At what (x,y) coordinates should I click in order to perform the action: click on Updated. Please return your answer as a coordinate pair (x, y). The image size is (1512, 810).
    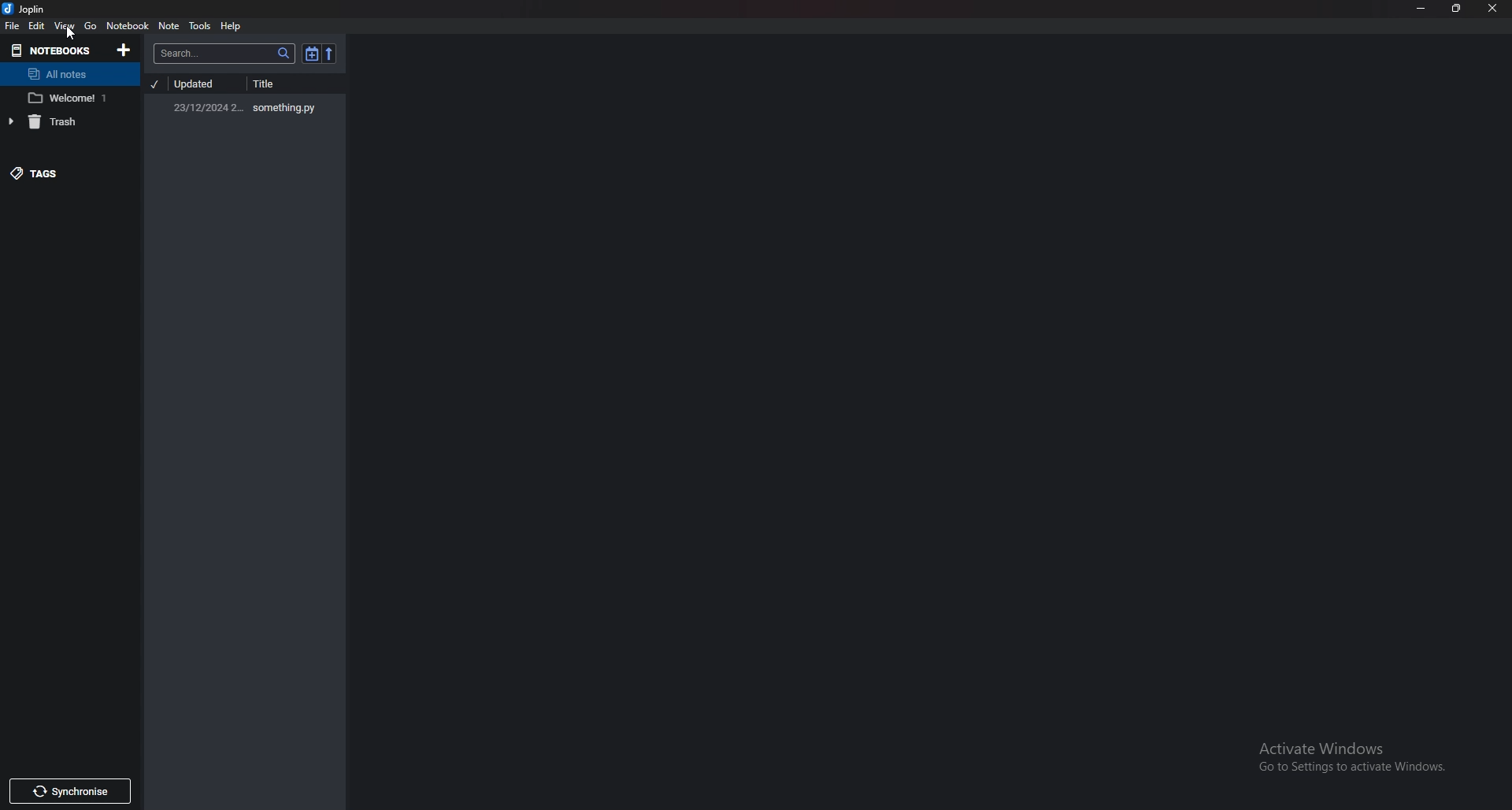
    Looking at the image, I should click on (200, 85).